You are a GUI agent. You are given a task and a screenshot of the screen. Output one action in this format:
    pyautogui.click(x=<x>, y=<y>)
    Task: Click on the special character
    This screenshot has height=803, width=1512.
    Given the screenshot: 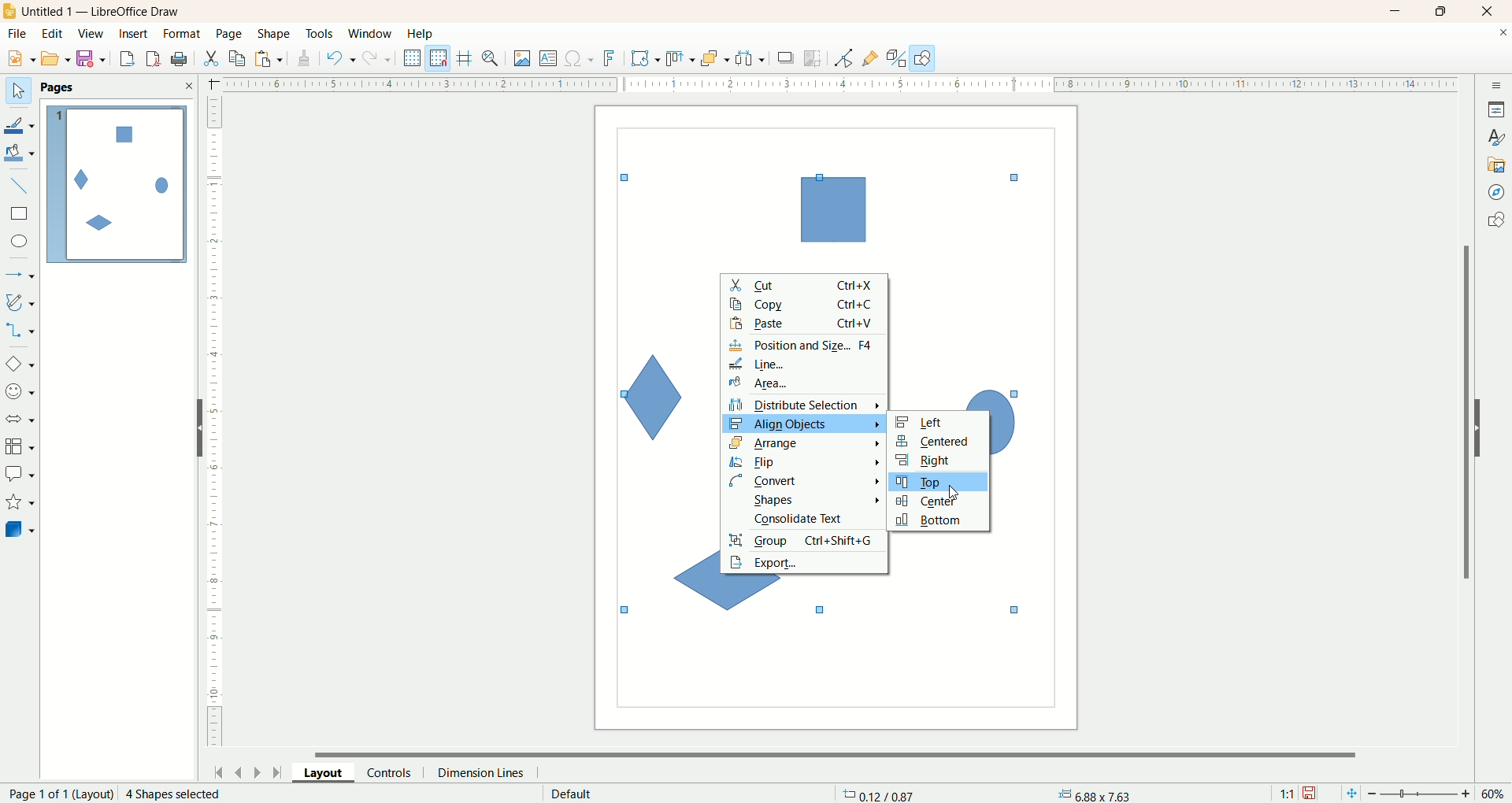 What is the action you would take?
    pyautogui.click(x=580, y=59)
    